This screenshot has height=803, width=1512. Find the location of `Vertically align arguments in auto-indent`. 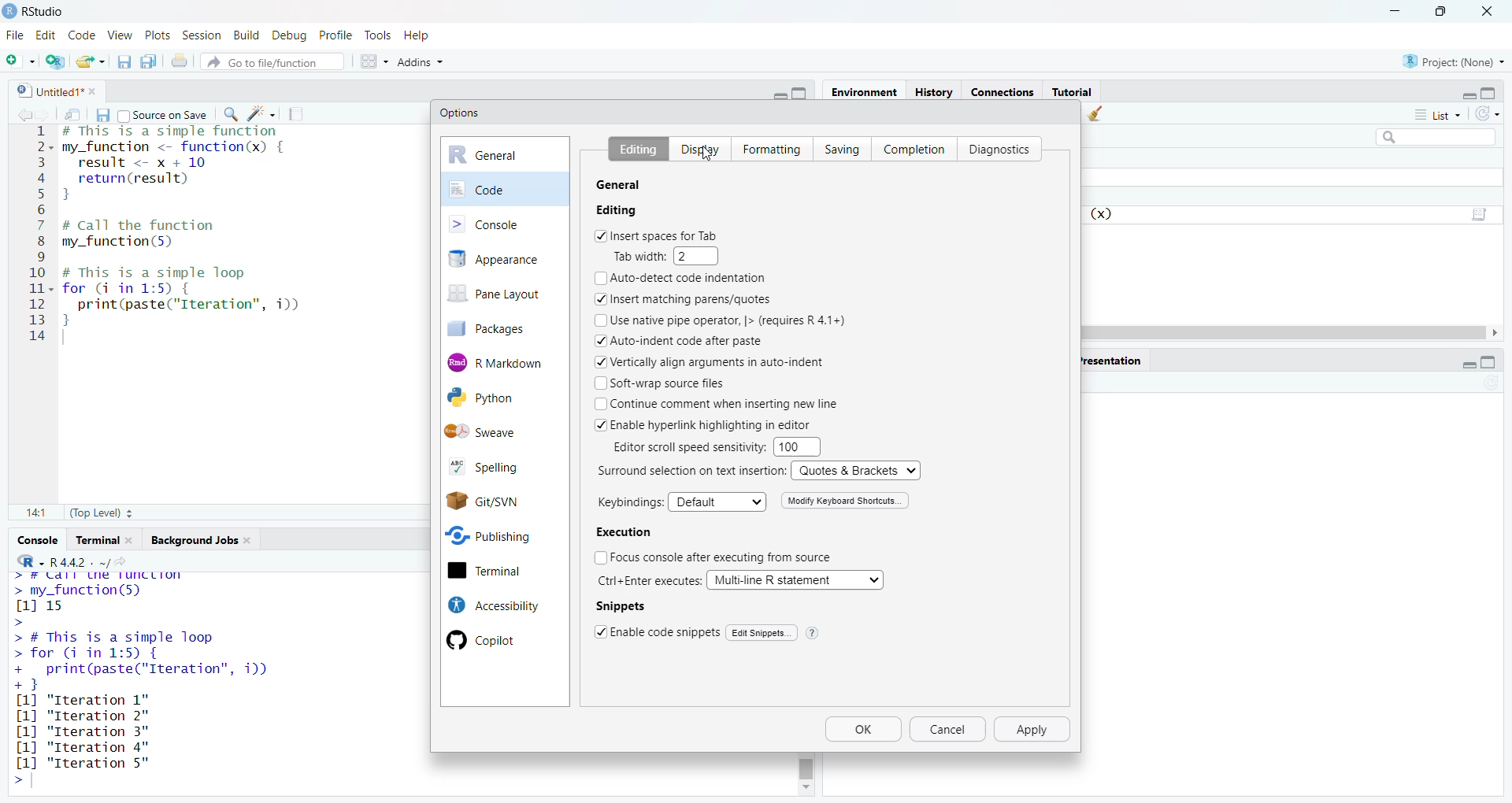

Vertically align arguments in auto-indent is located at coordinates (710, 361).